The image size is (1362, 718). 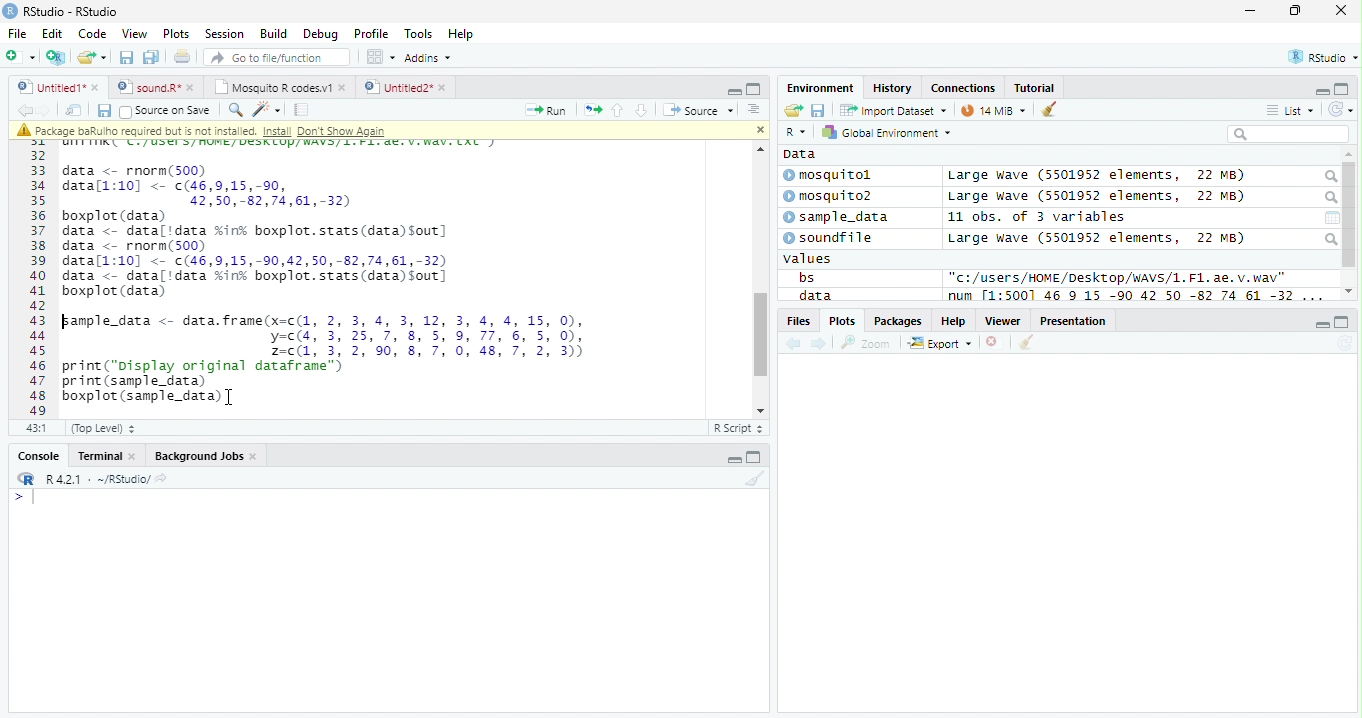 What do you see at coordinates (151, 58) in the screenshot?
I see `Save all the open documents` at bounding box center [151, 58].